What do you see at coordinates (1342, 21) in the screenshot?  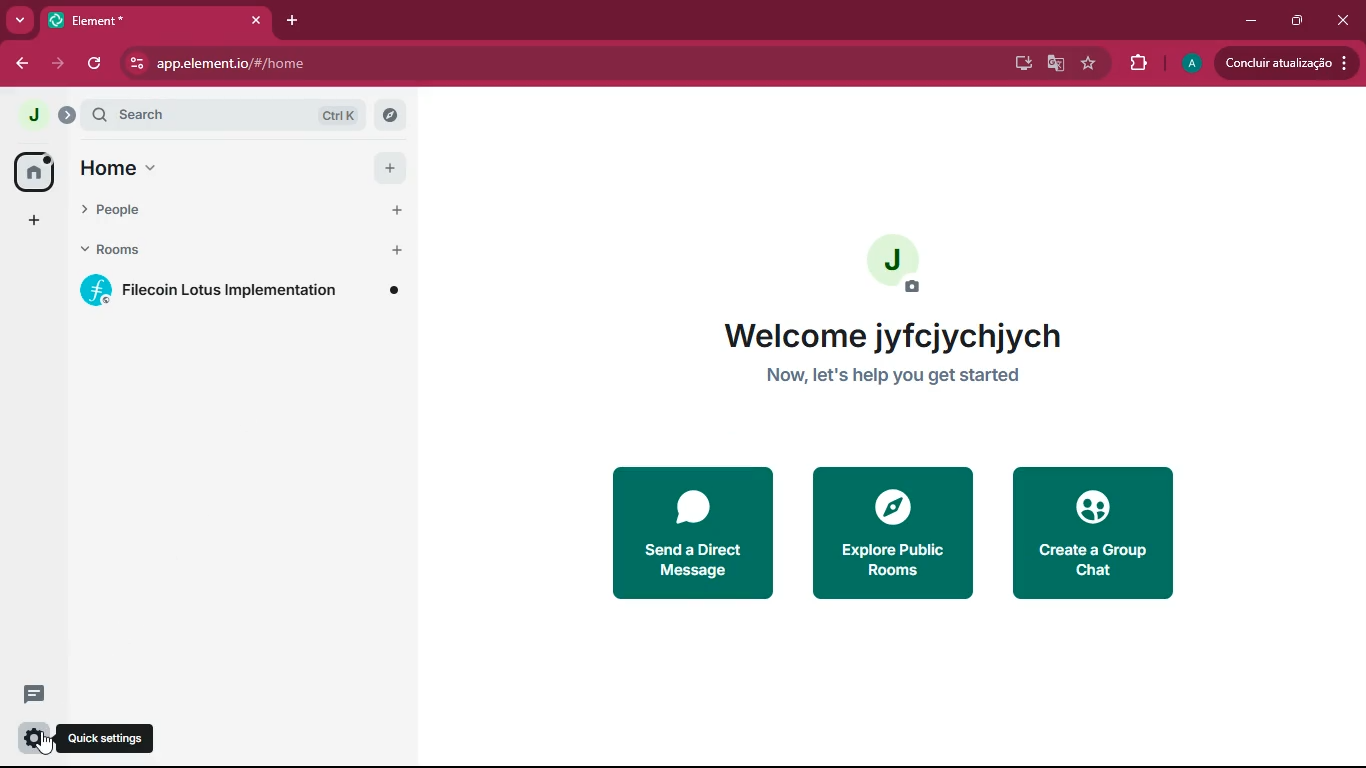 I see `close` at bounding box center [1342, 21].